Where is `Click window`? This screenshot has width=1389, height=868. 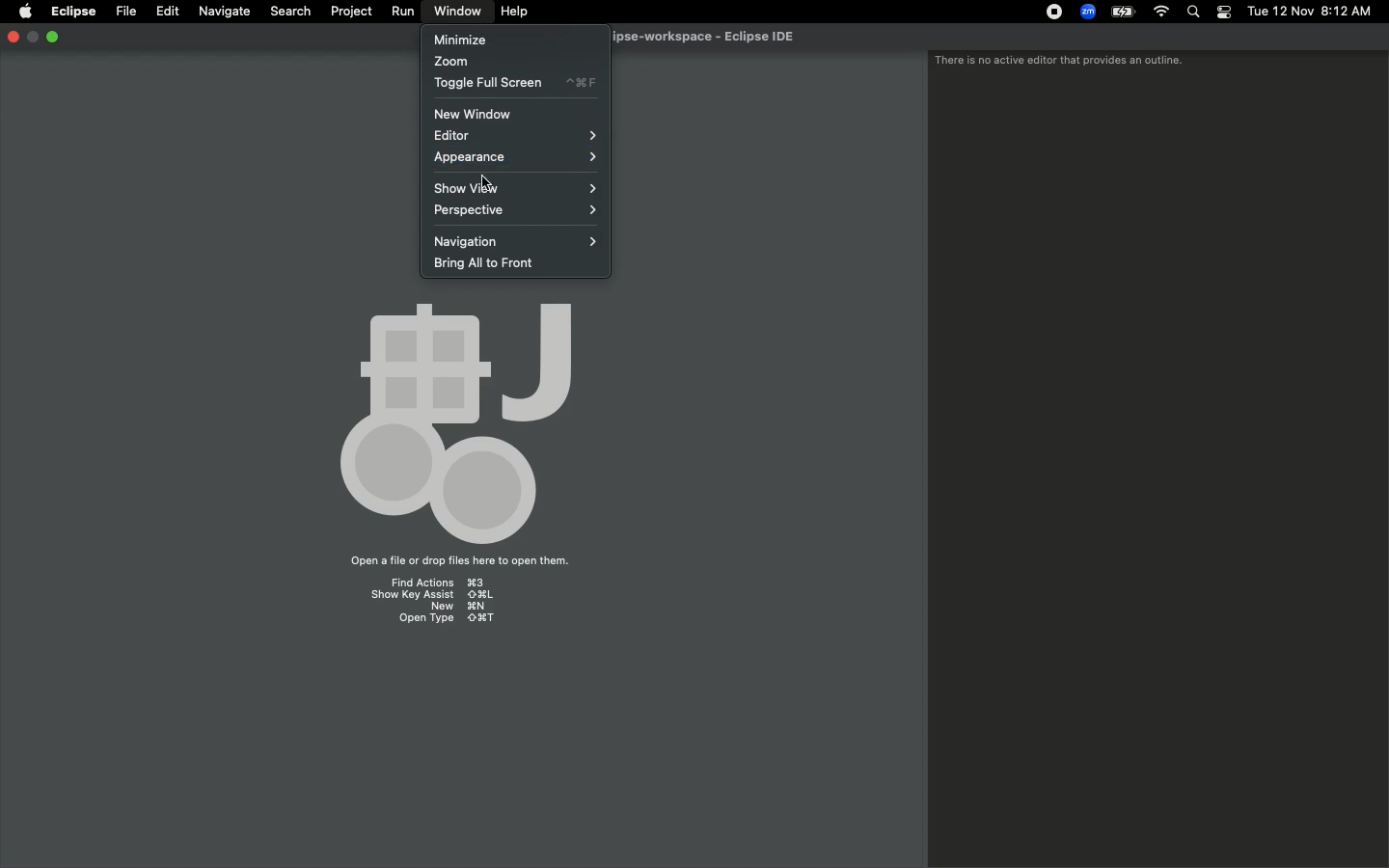
Click window is located at coordinates (458, 12).